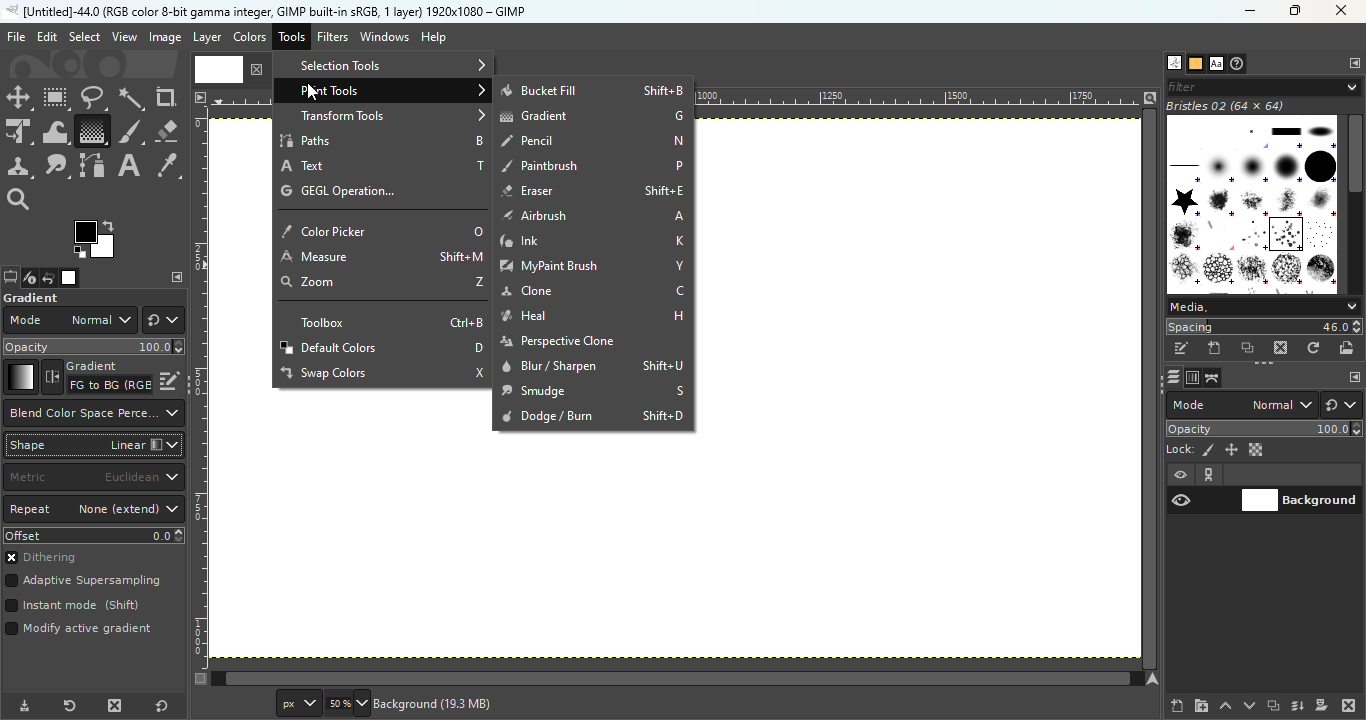 The height and width of the screenshot is (720, 1366). Describe the element at coordinates (67, 707) in the screenshot. I see `Reset tool preset` at that location.